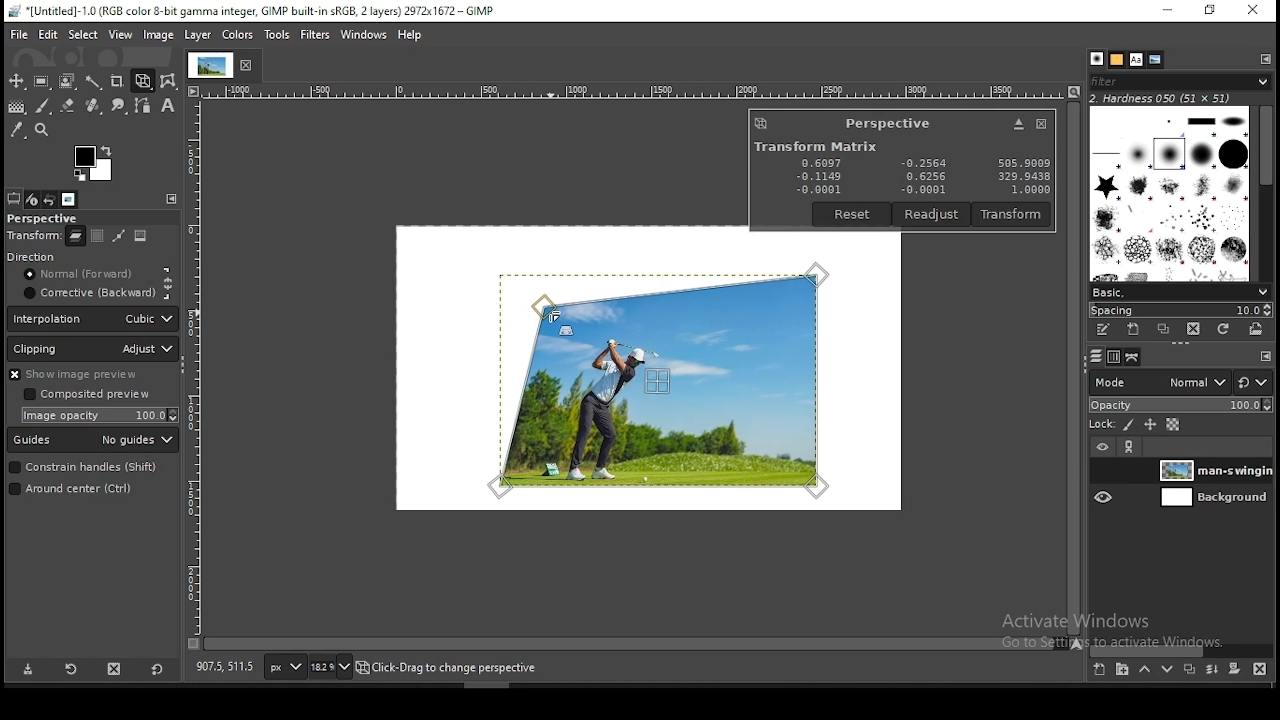 Image resolution: width=1280 pixels, height=720 pixels. Describe the element at coordinates (1095, 59) in the screenshot. I see `brushes` at that location.